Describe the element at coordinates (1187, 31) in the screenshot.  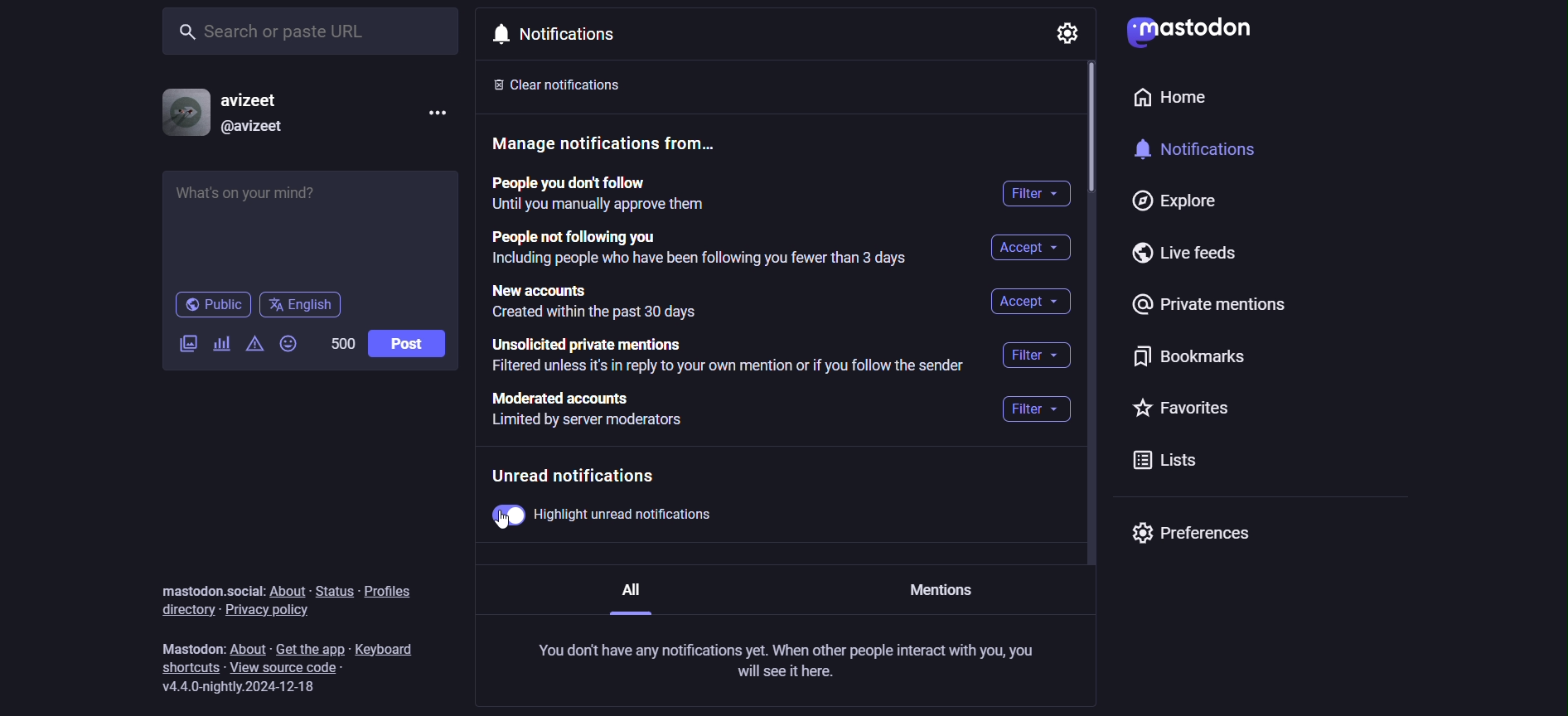
I see `logo` at that location.